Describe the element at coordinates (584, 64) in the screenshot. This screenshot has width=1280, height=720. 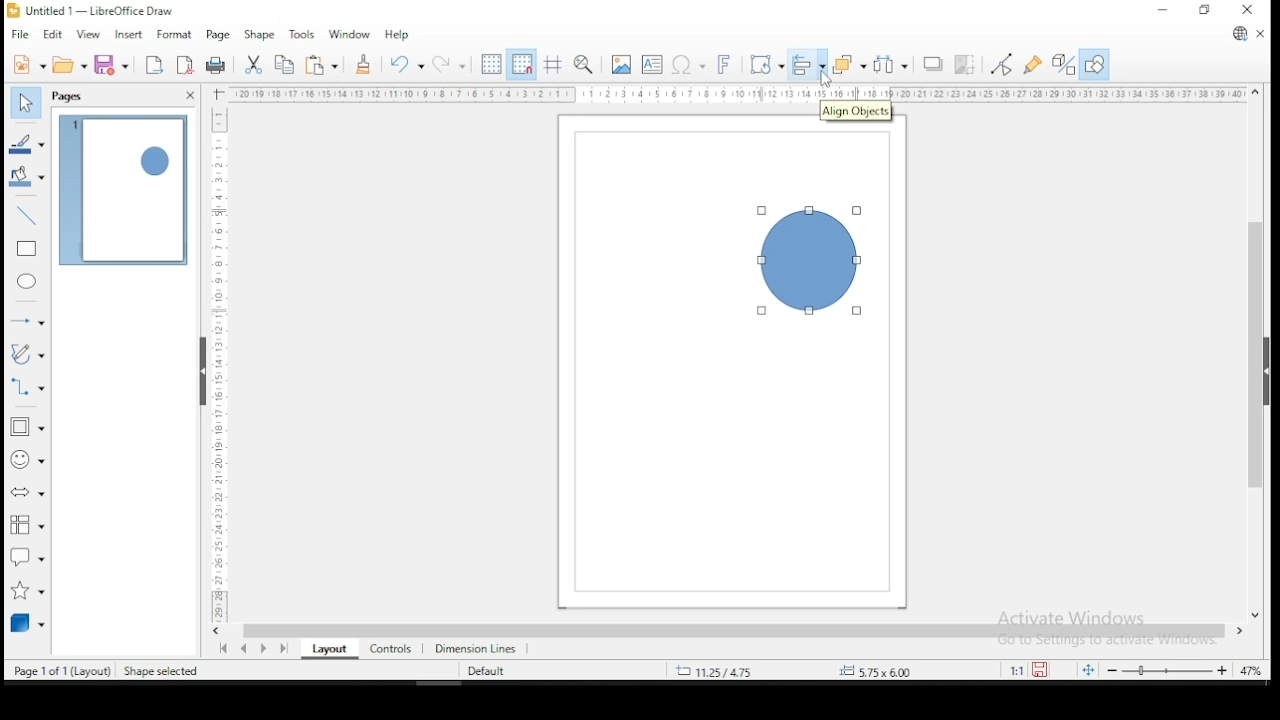
I see `zoom and pan` at that location.